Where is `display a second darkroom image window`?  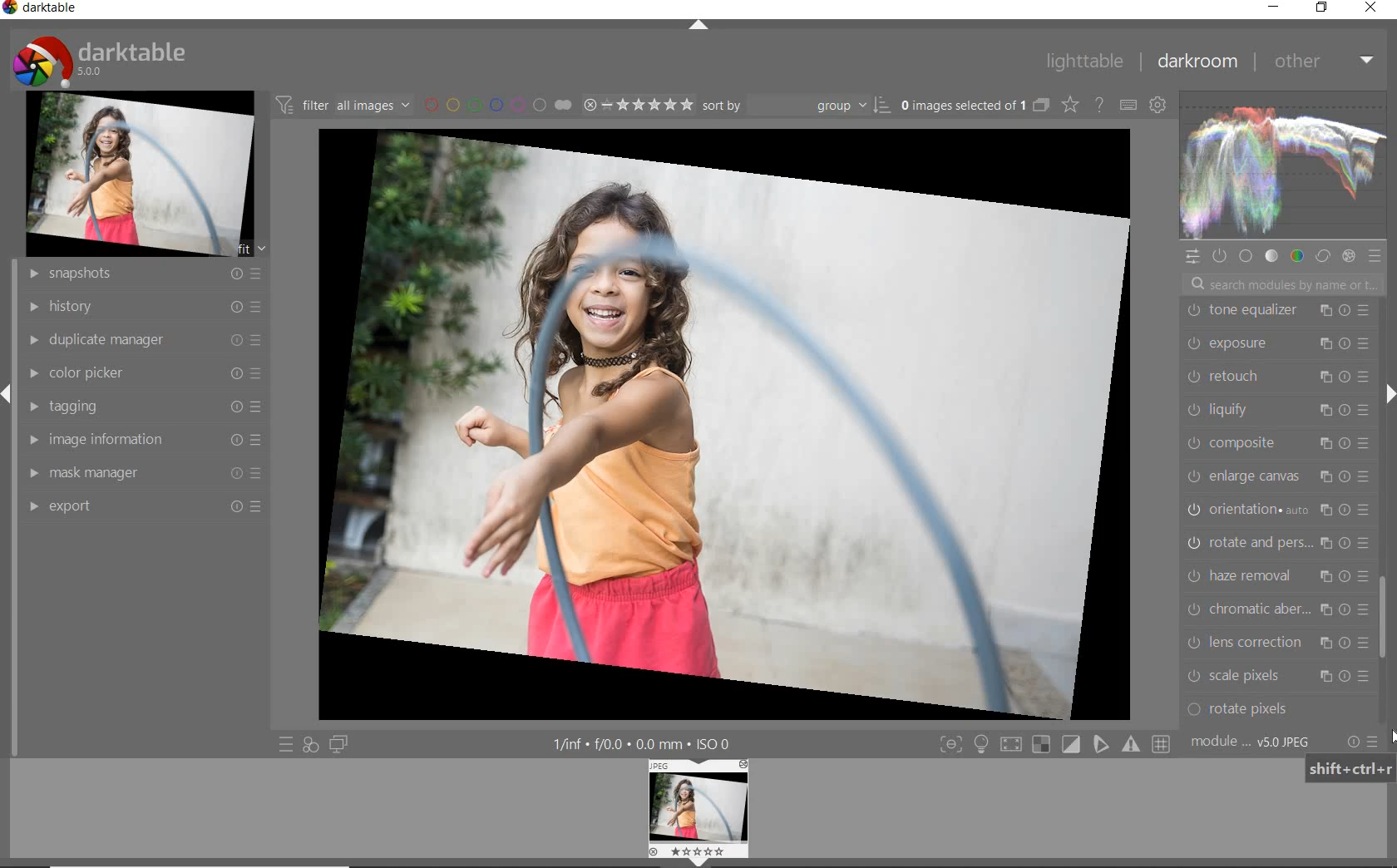 display a second darkroom image window is located at coordinates (338, 745).